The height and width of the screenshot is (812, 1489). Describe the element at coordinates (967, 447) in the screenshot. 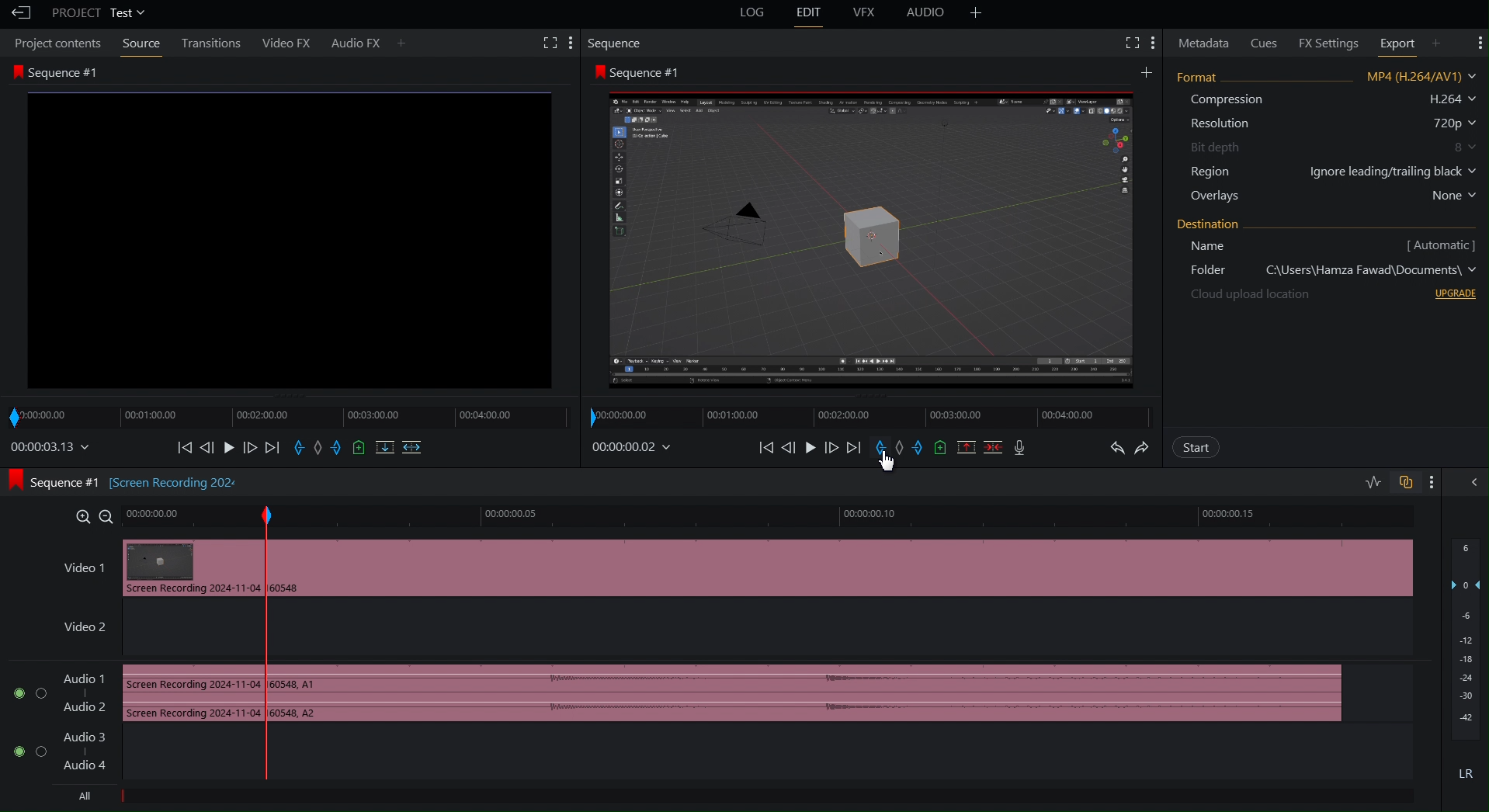

I see `Remove Selected Portion` at that location.